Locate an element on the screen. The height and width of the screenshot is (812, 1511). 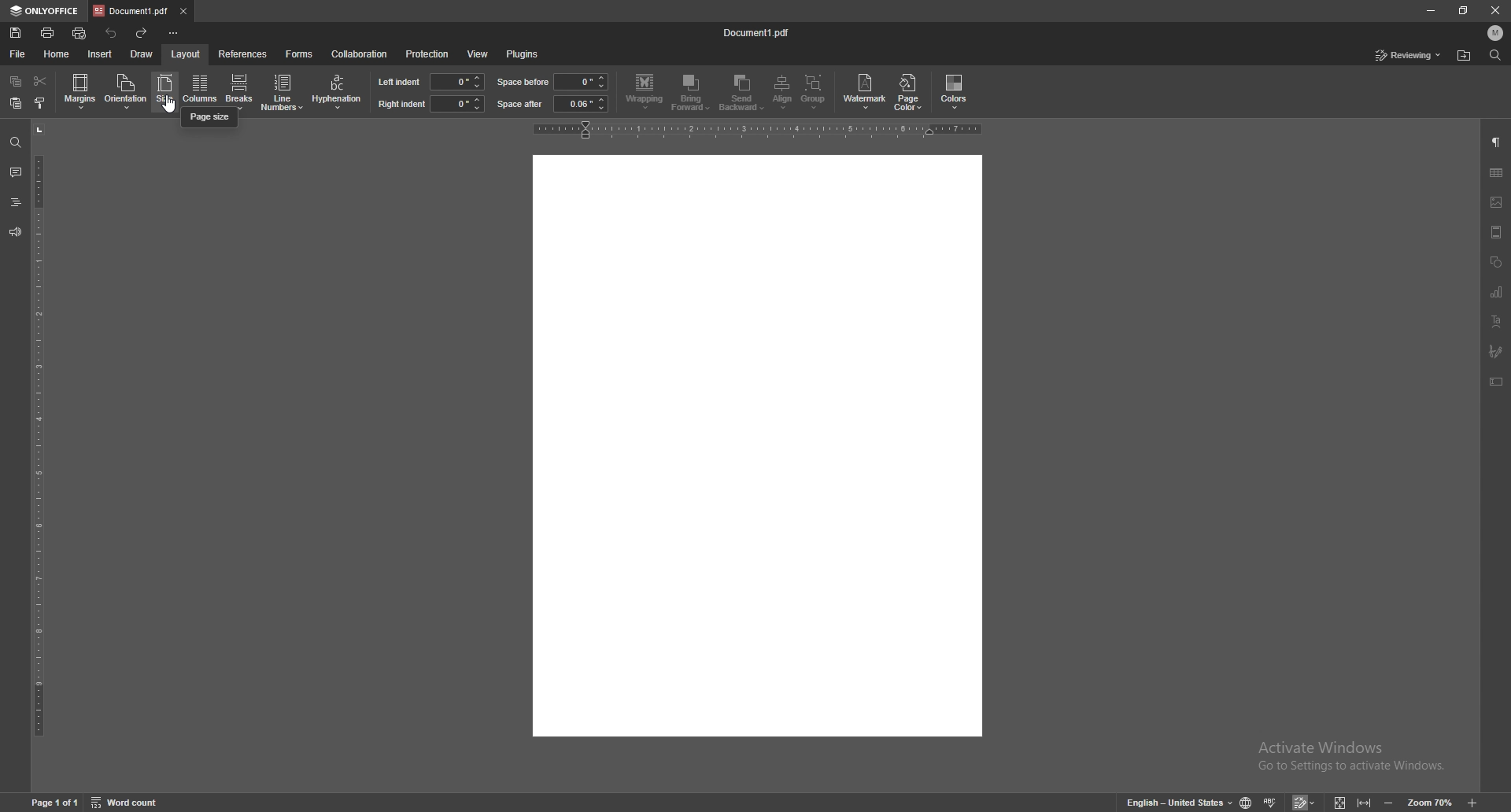
track changes is located at coordinates (1306, 803).